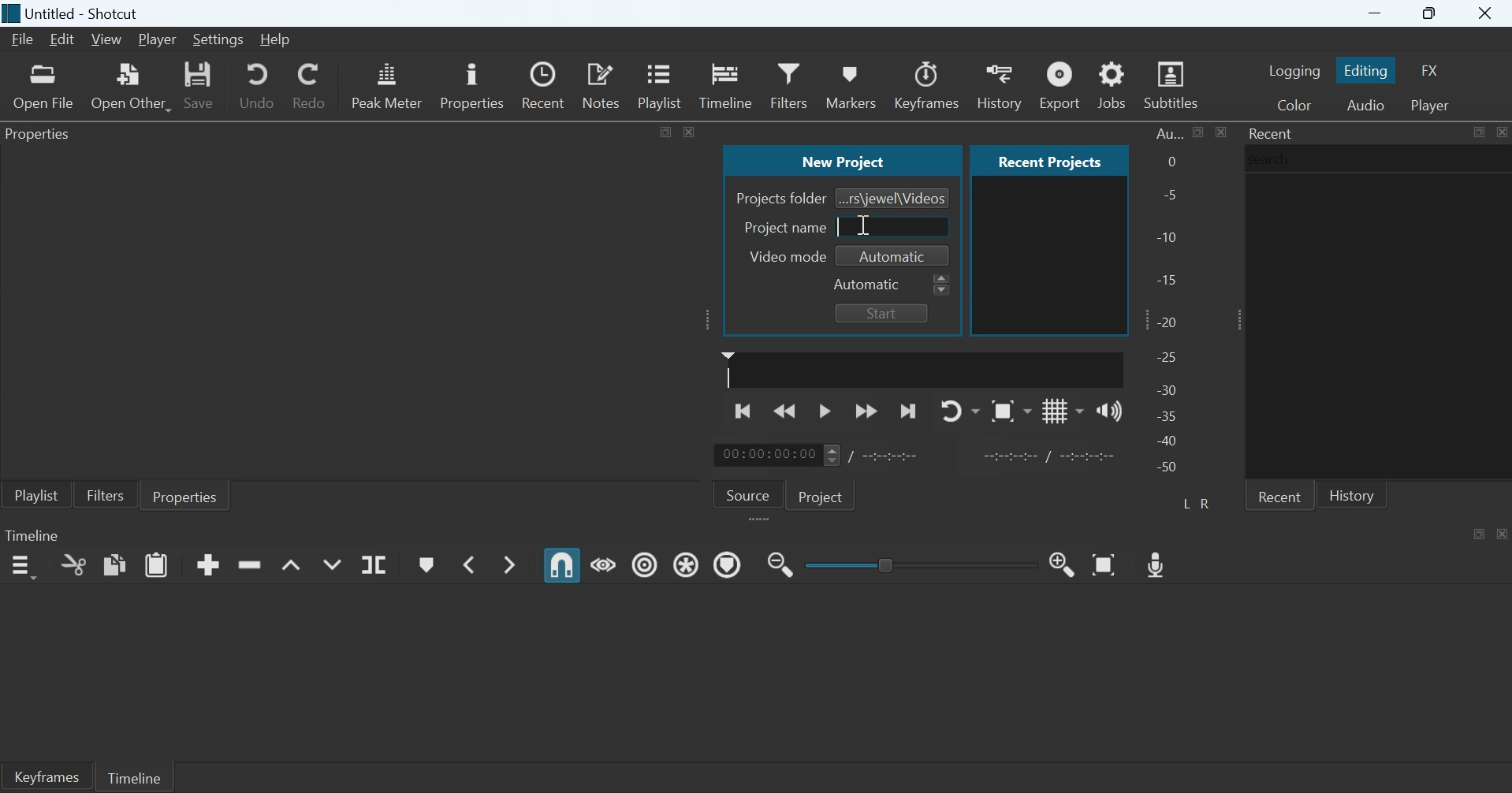 The width and height of the screenshot is (1512, 793). Describe the element at coordinates (1501, 132) in the screenshot. I see `Close` at that location.